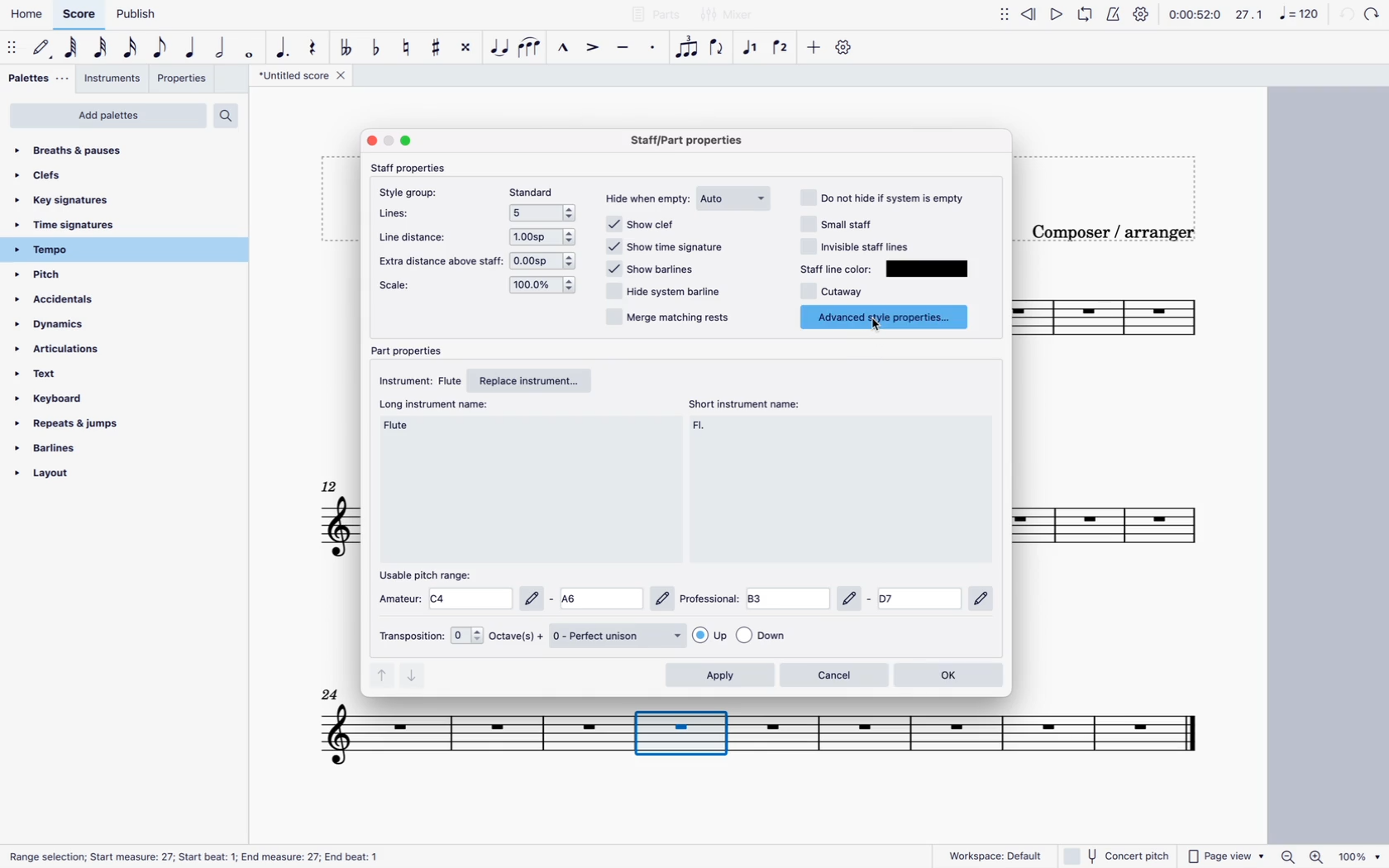  I want to click on more, so click(814, 46).